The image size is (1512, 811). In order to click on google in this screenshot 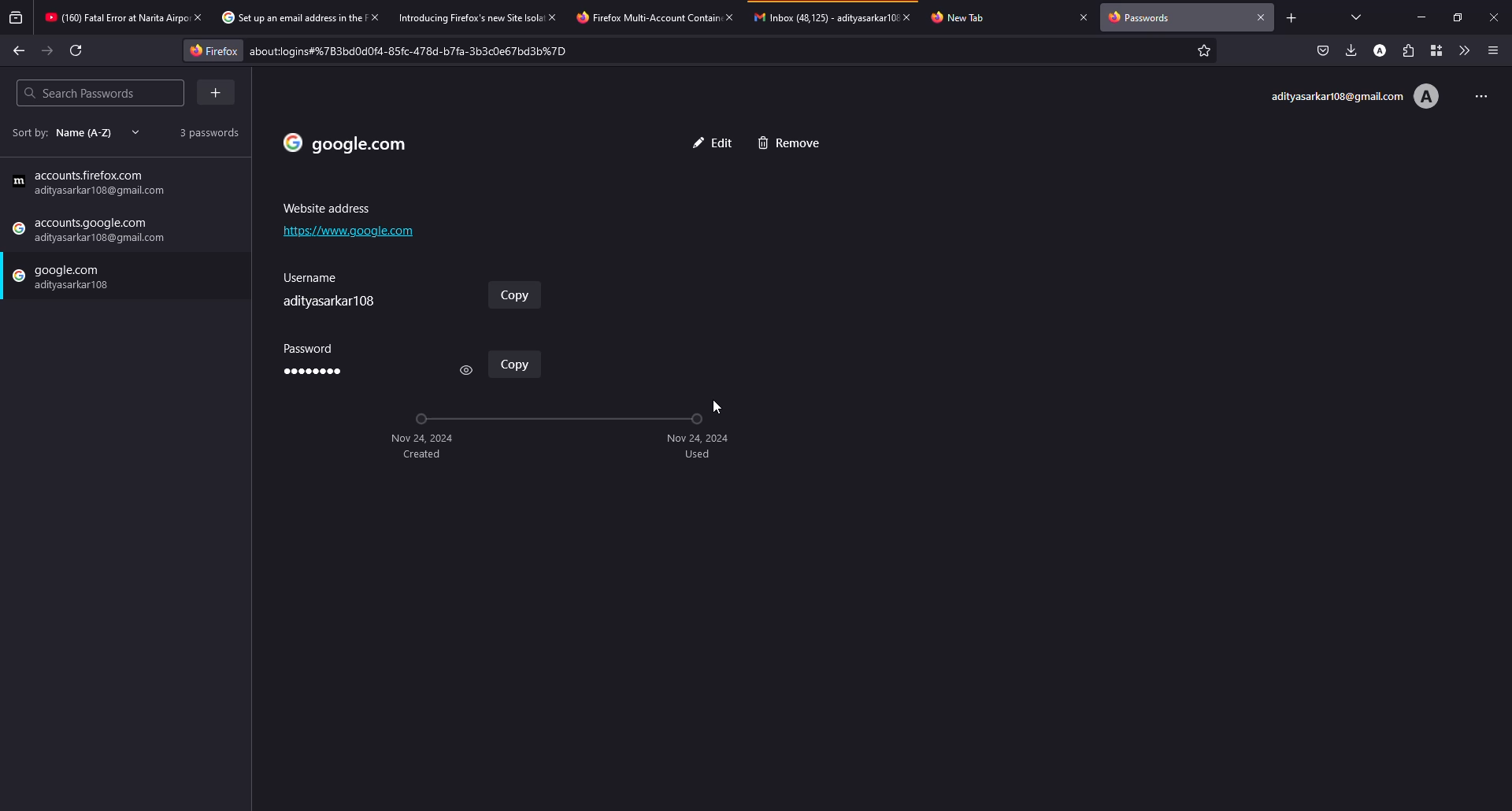, I will do `click(92, 231)`.